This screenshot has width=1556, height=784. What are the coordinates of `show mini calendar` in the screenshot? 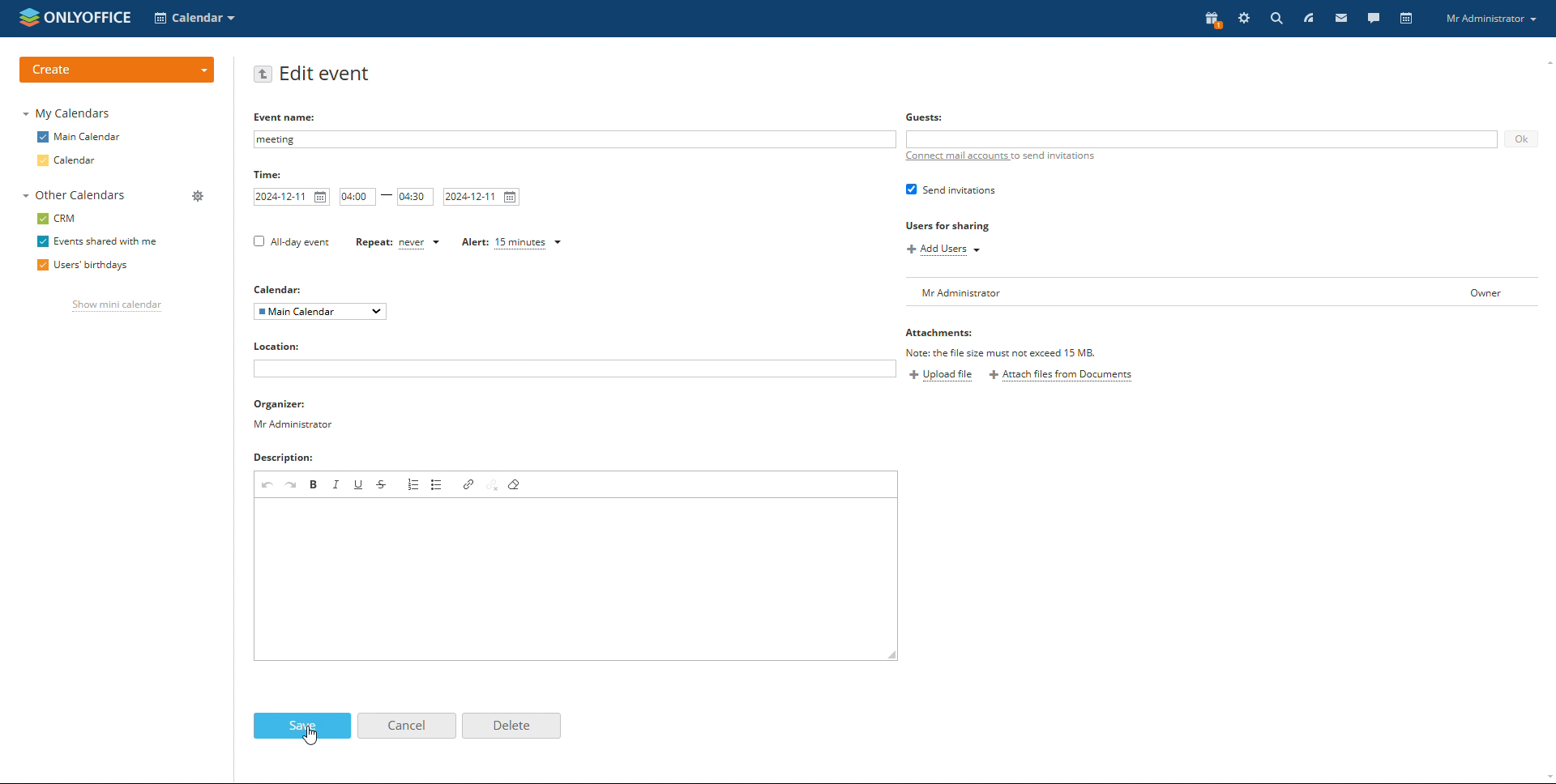 It's located at (118, 306).